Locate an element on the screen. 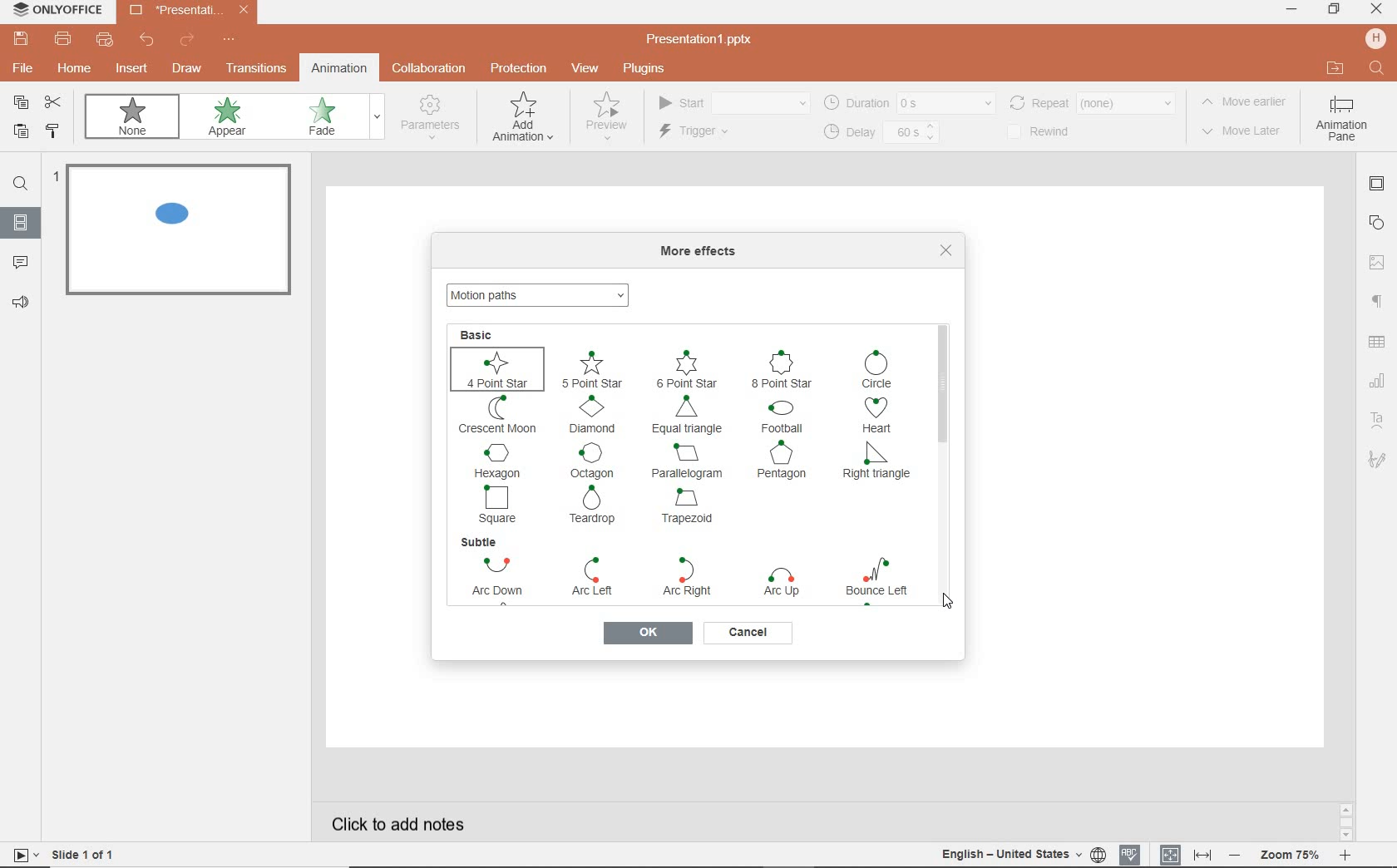 The height and width of the screenshot is (868, 1397). TRAPEZOLD is located at coordinates (689, 510).